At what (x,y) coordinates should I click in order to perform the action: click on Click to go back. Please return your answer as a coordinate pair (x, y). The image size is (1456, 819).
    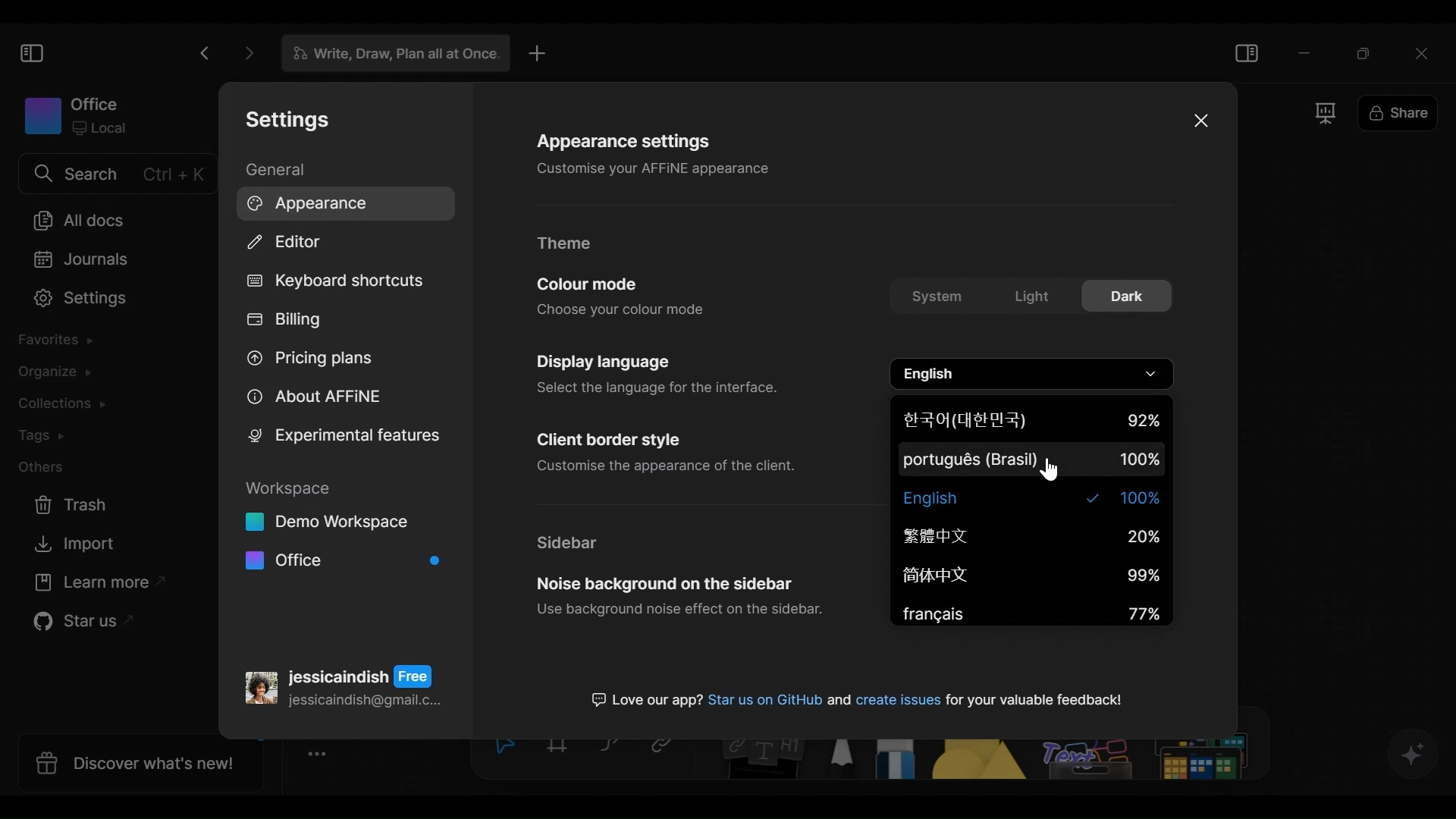
    Looking at the image, I should click on (204, 53).